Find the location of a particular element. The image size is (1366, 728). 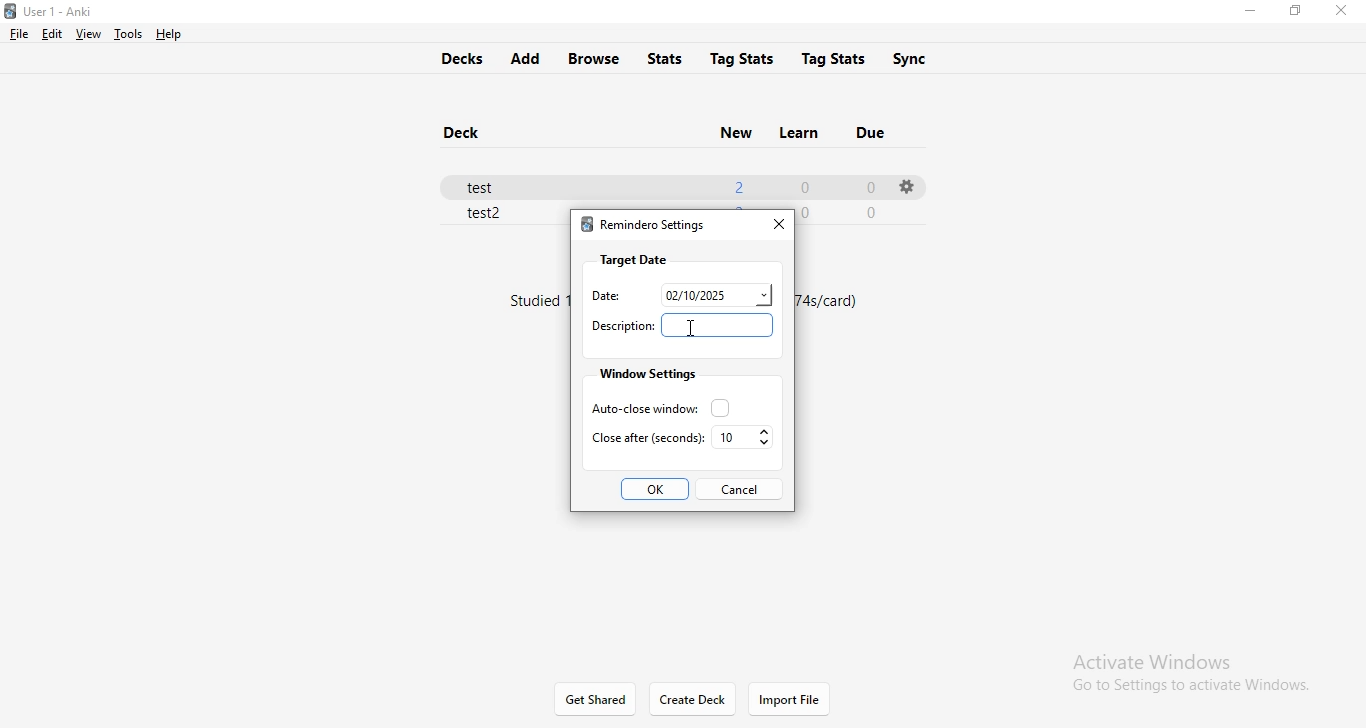

tools is located at coordinates (125, 34).